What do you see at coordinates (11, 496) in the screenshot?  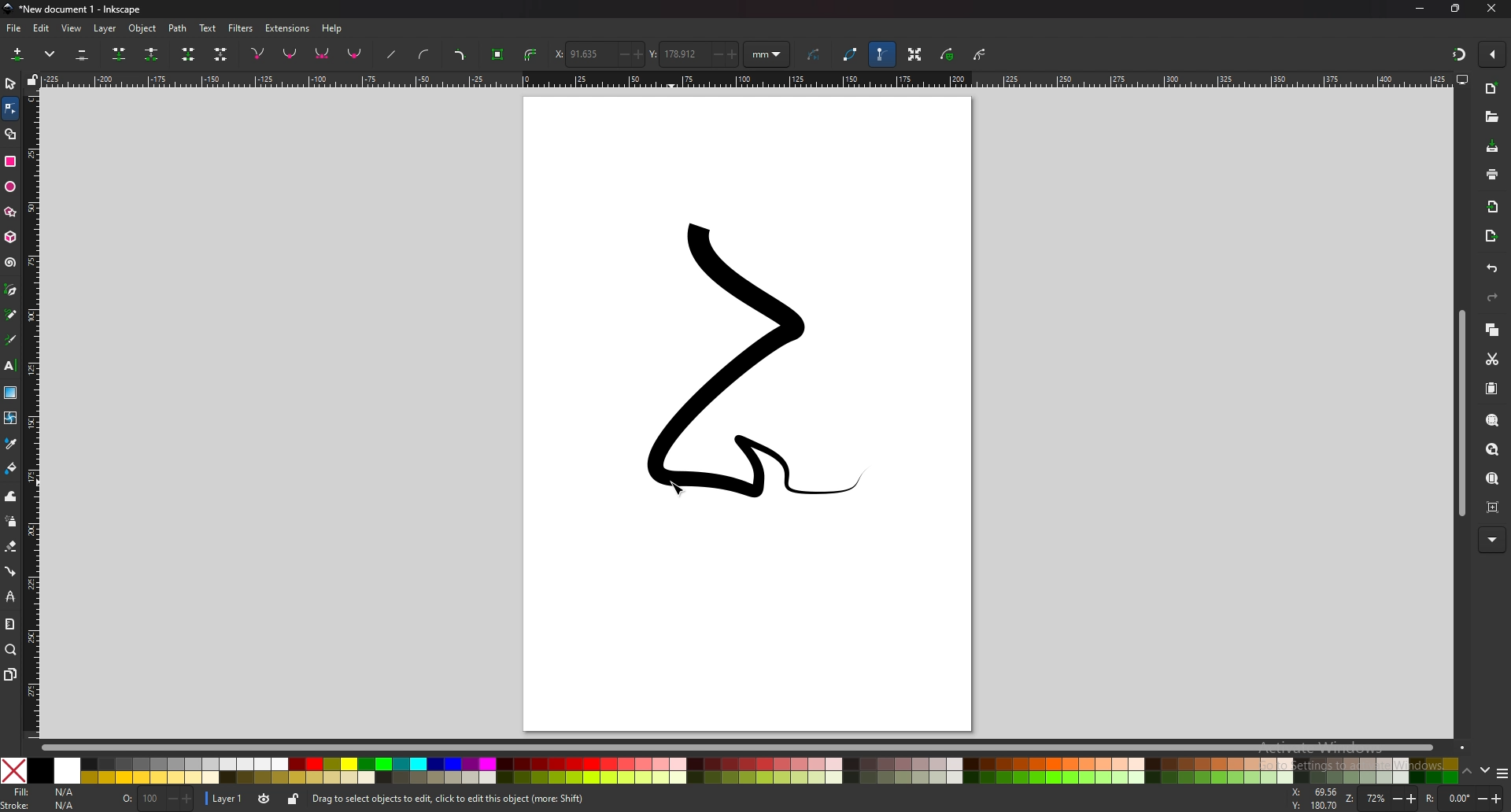 I see `tweak` at bounding box center [11, 496].